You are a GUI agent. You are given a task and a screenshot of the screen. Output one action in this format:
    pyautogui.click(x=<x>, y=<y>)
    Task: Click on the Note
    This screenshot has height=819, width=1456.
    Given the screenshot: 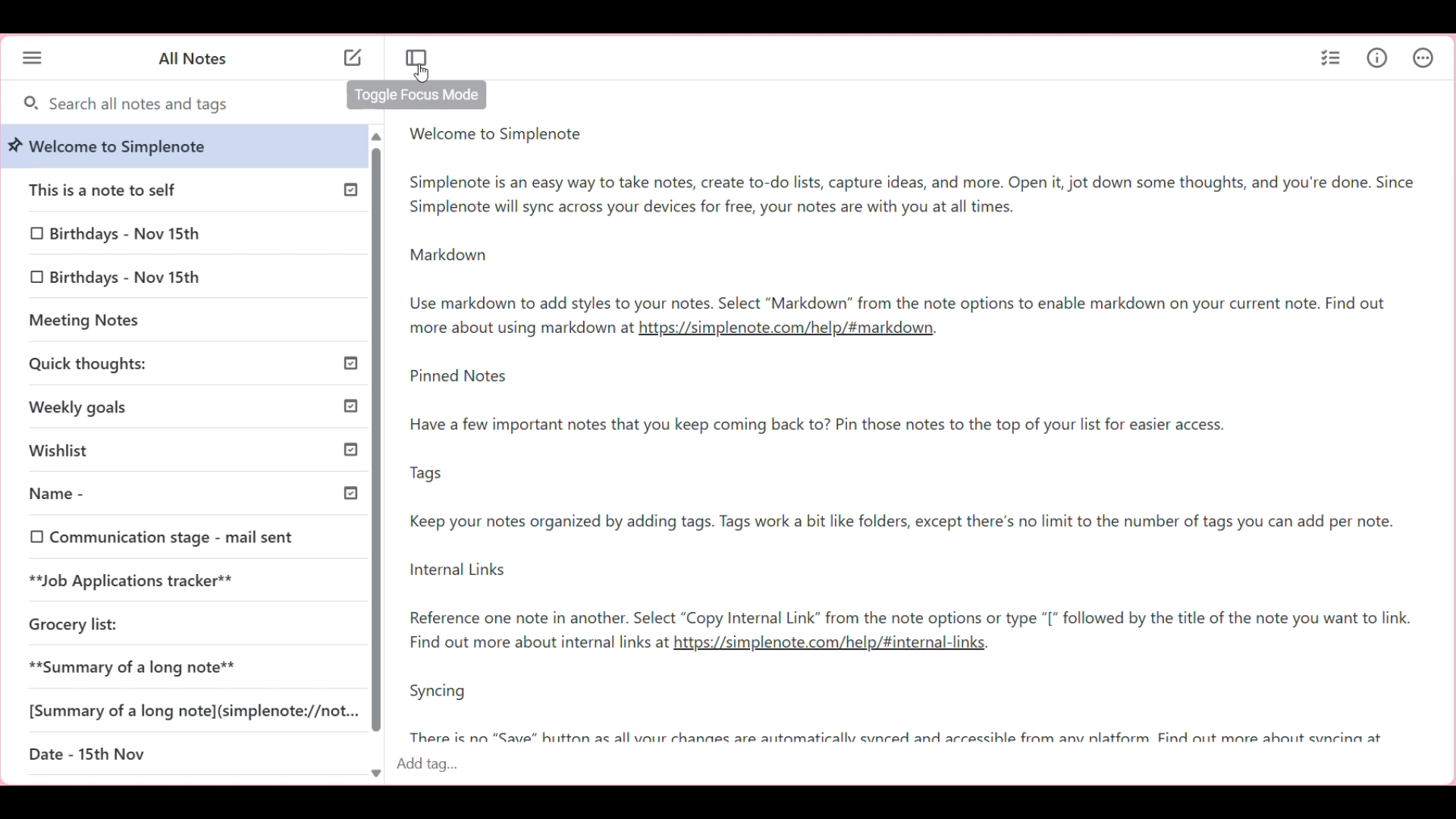 What is the action you would take?
    pyautogui.click(x=517, y=328)
    